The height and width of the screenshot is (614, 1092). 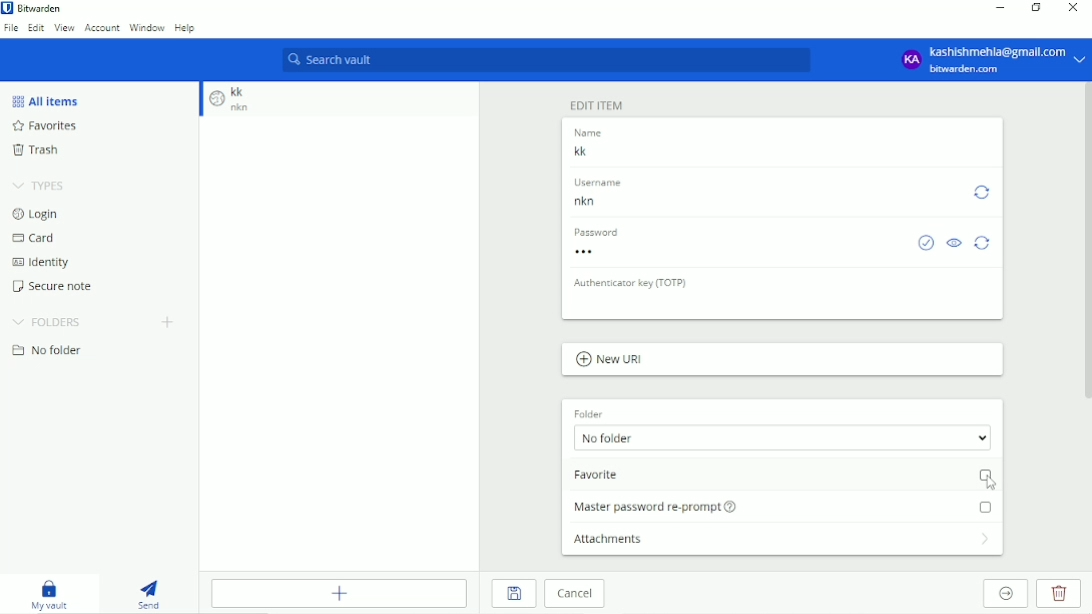 What do you see at coordinates (783, 437) in the screenshot?
I see `No folder` at bounding box center [783, 437].